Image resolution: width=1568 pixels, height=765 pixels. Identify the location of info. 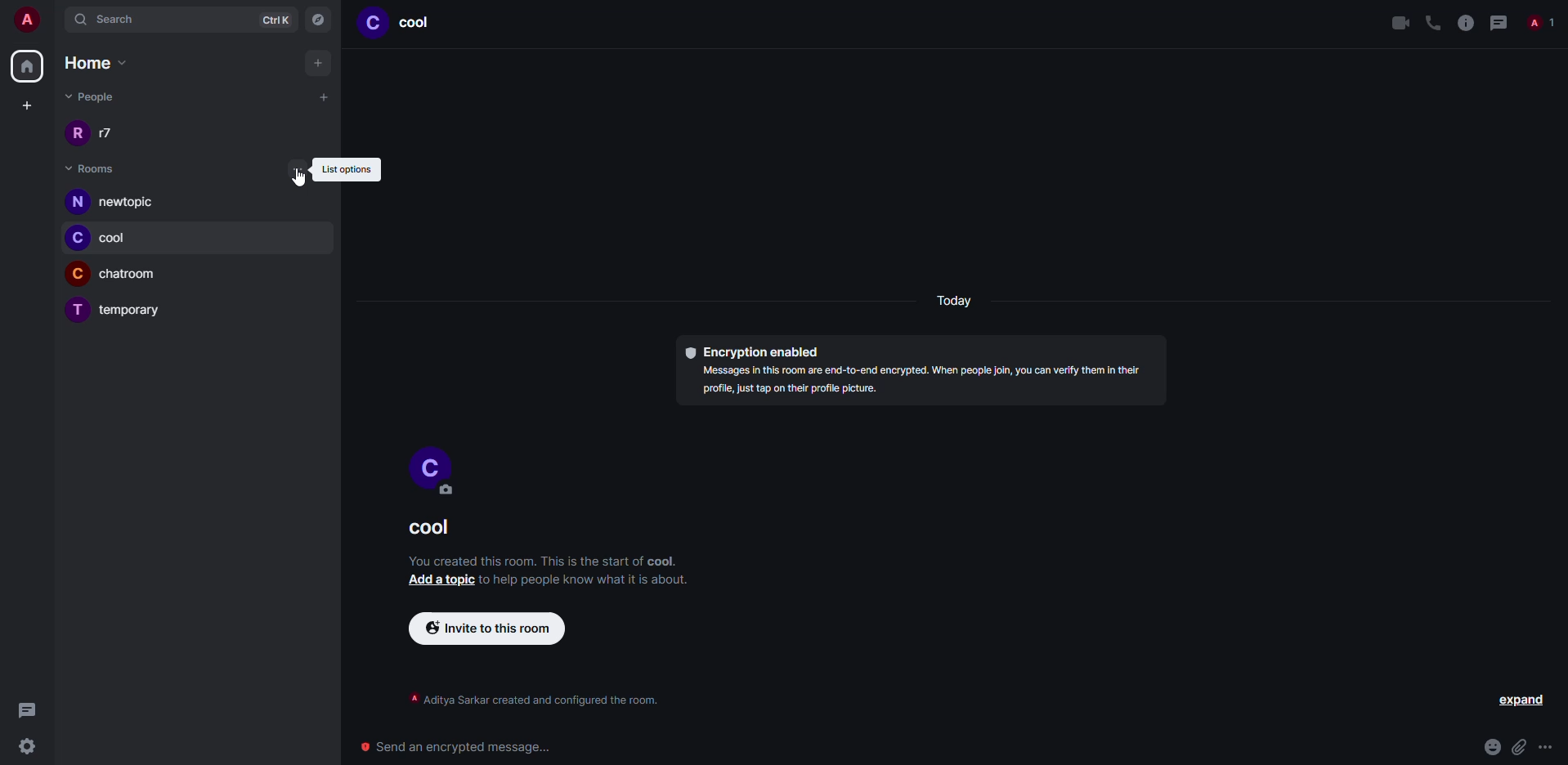
(930, 383).